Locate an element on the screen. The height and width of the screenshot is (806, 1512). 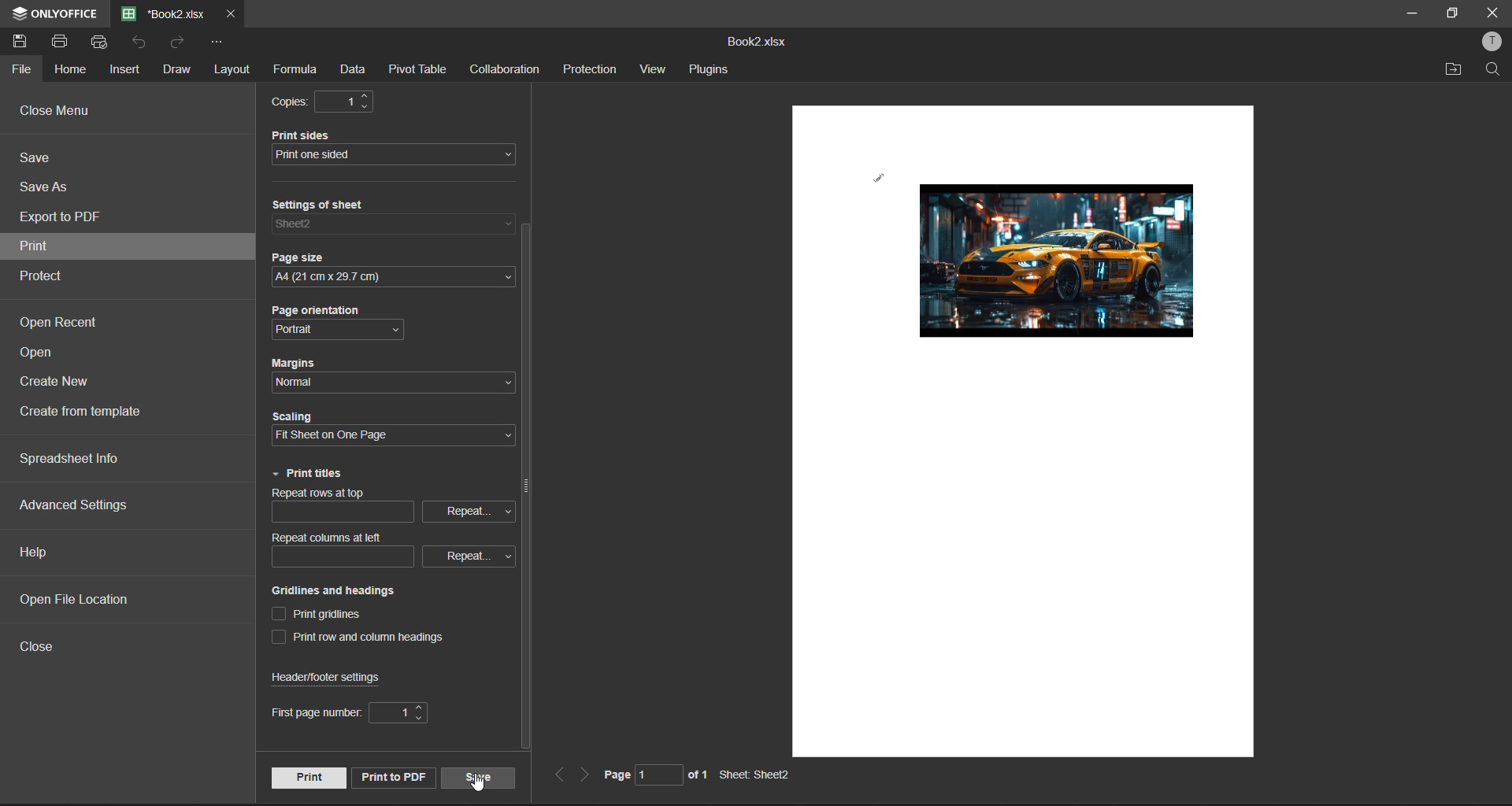
print is located at coordinates (66, 42).